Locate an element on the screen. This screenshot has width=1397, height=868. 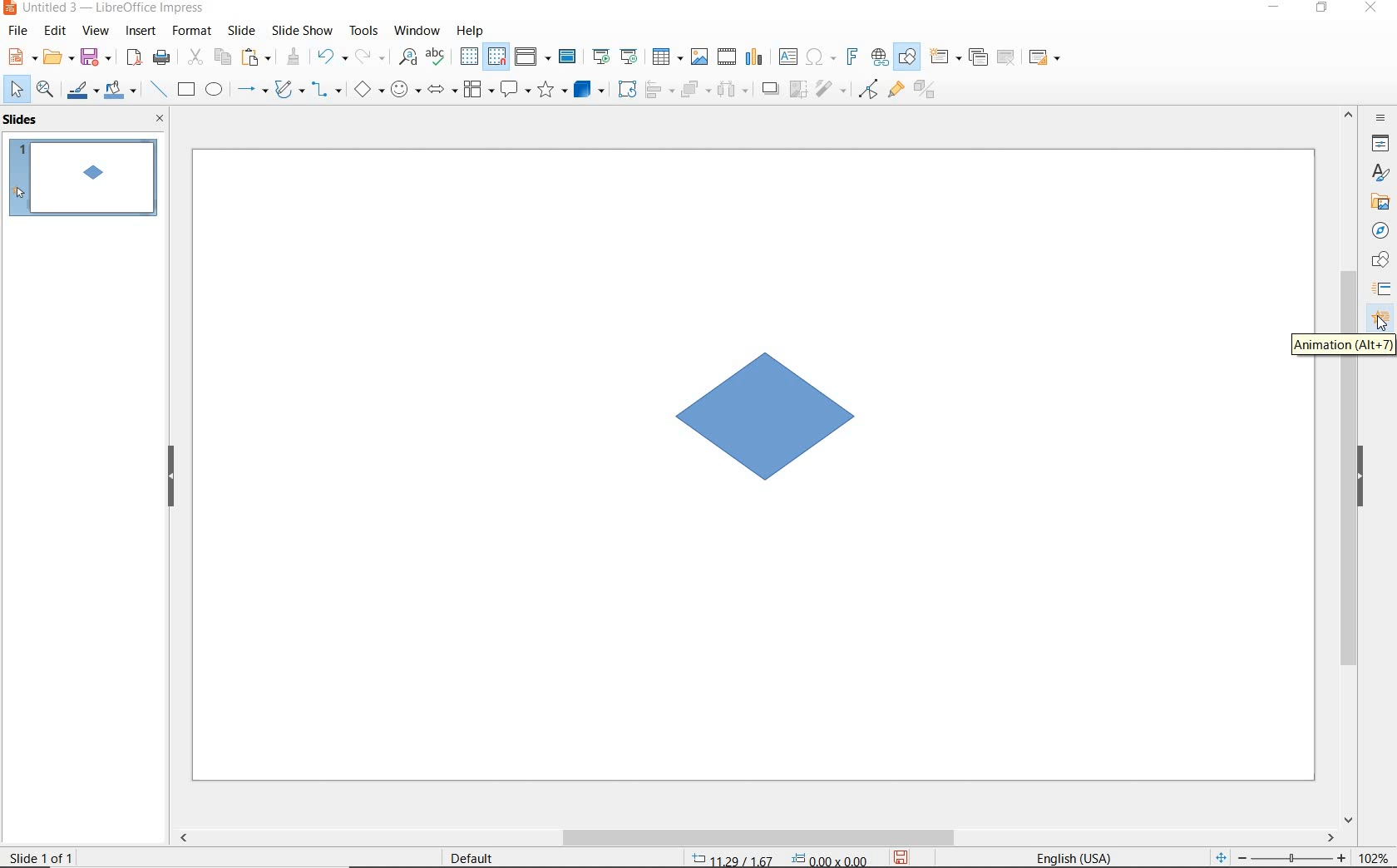
open is located at coordinates (57, 58).